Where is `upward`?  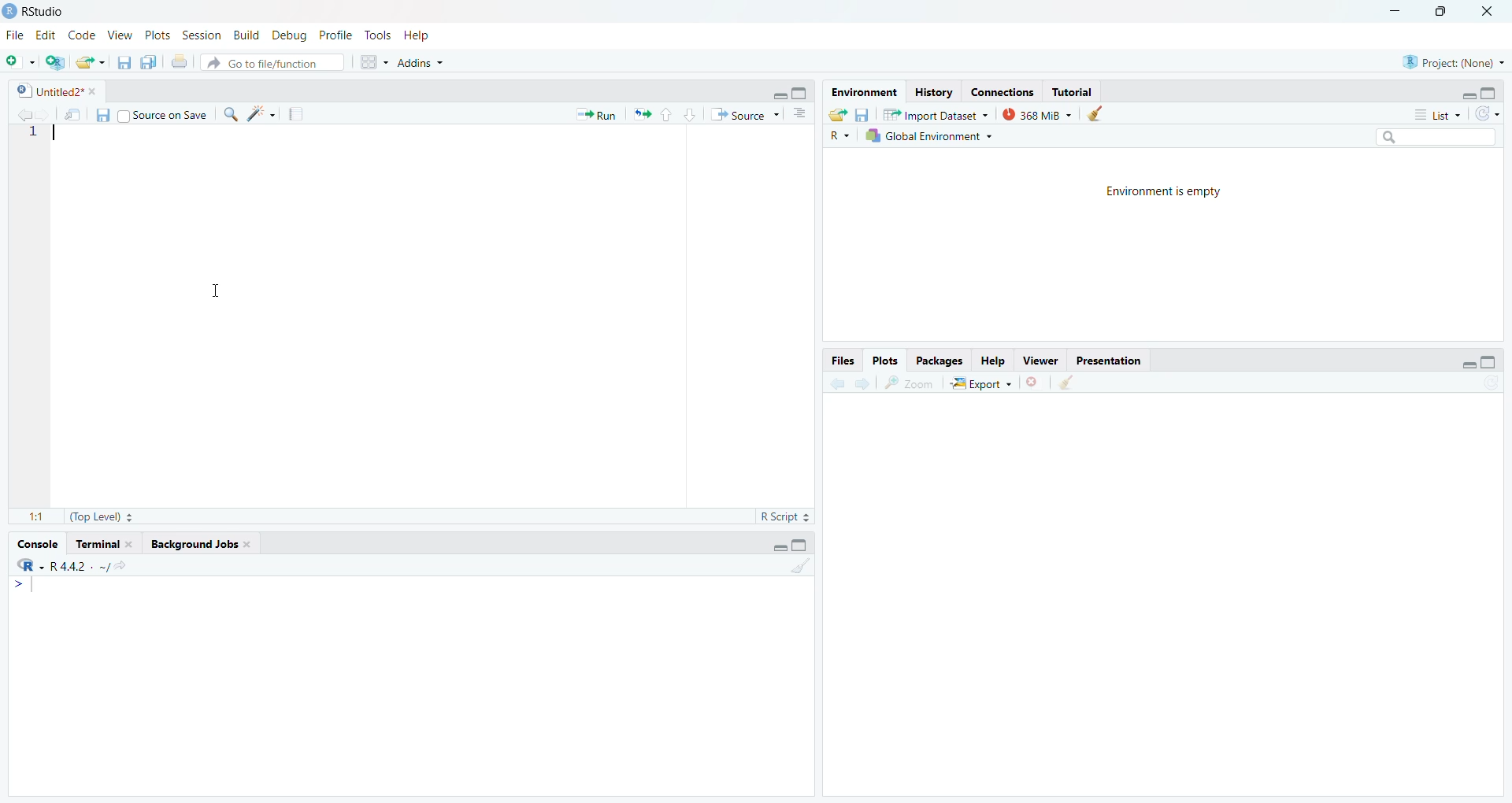
upward is located at coordinates (665, 117).